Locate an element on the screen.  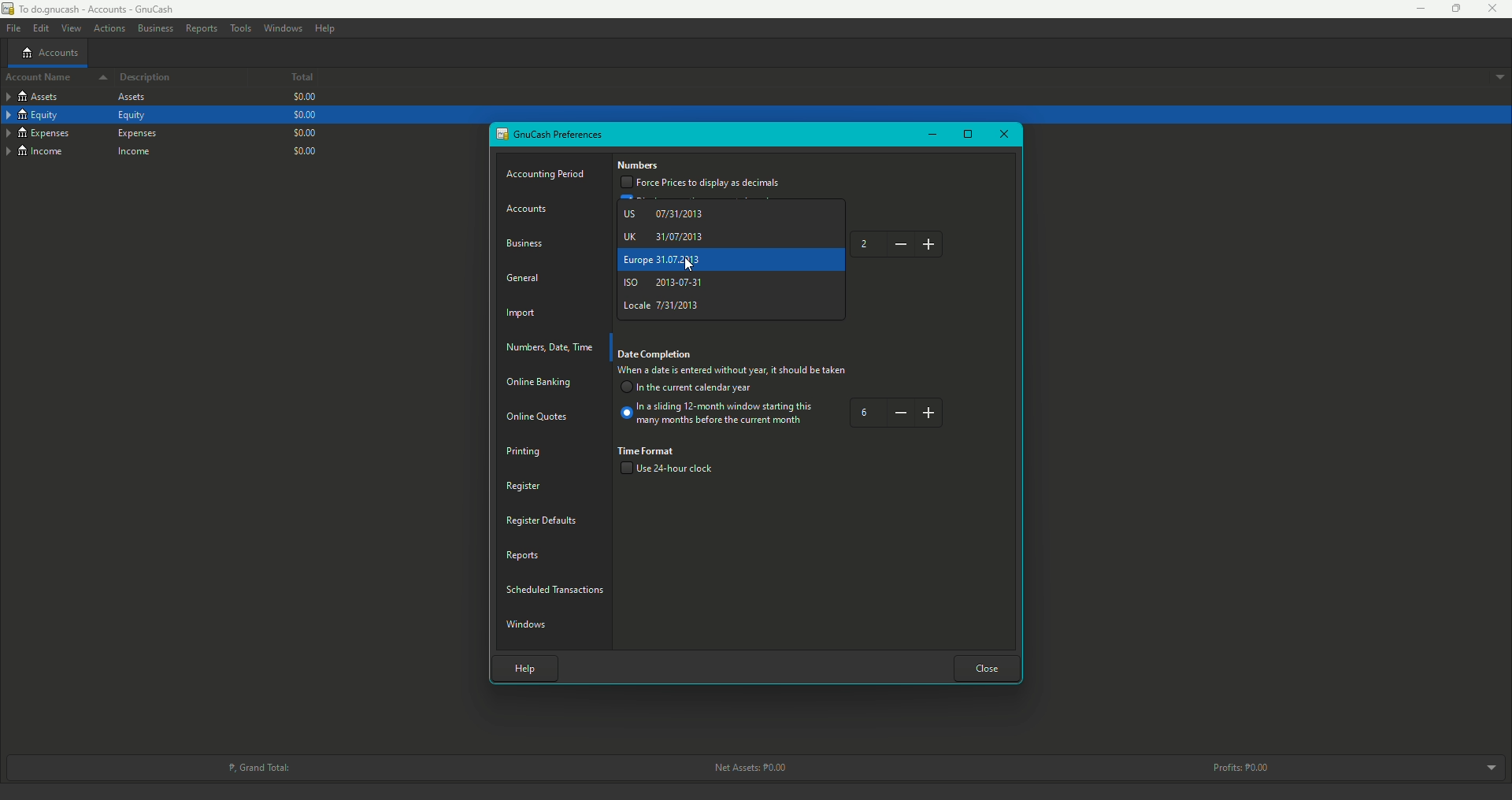
6 is located at coordinates (897, 413).